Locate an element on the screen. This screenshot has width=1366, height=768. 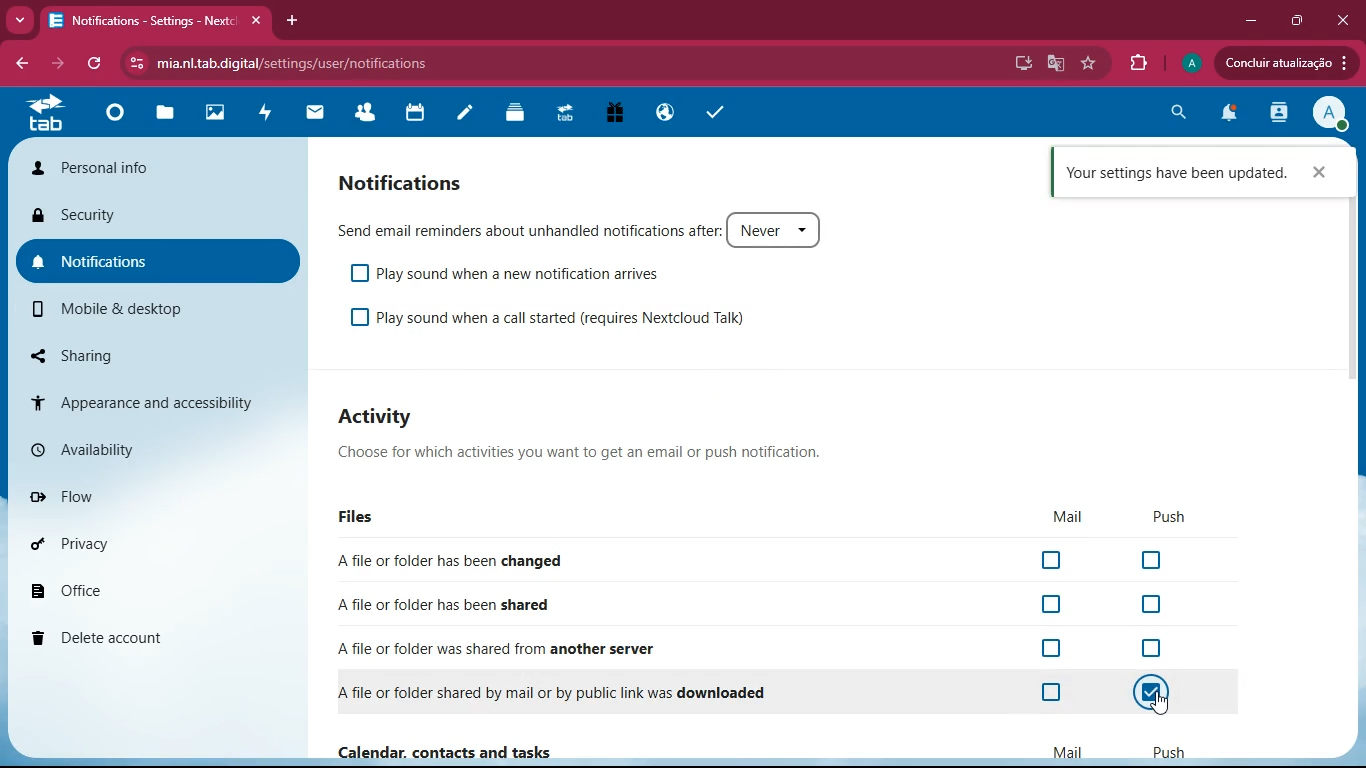
cursor is located at coordinates (1166, 709).